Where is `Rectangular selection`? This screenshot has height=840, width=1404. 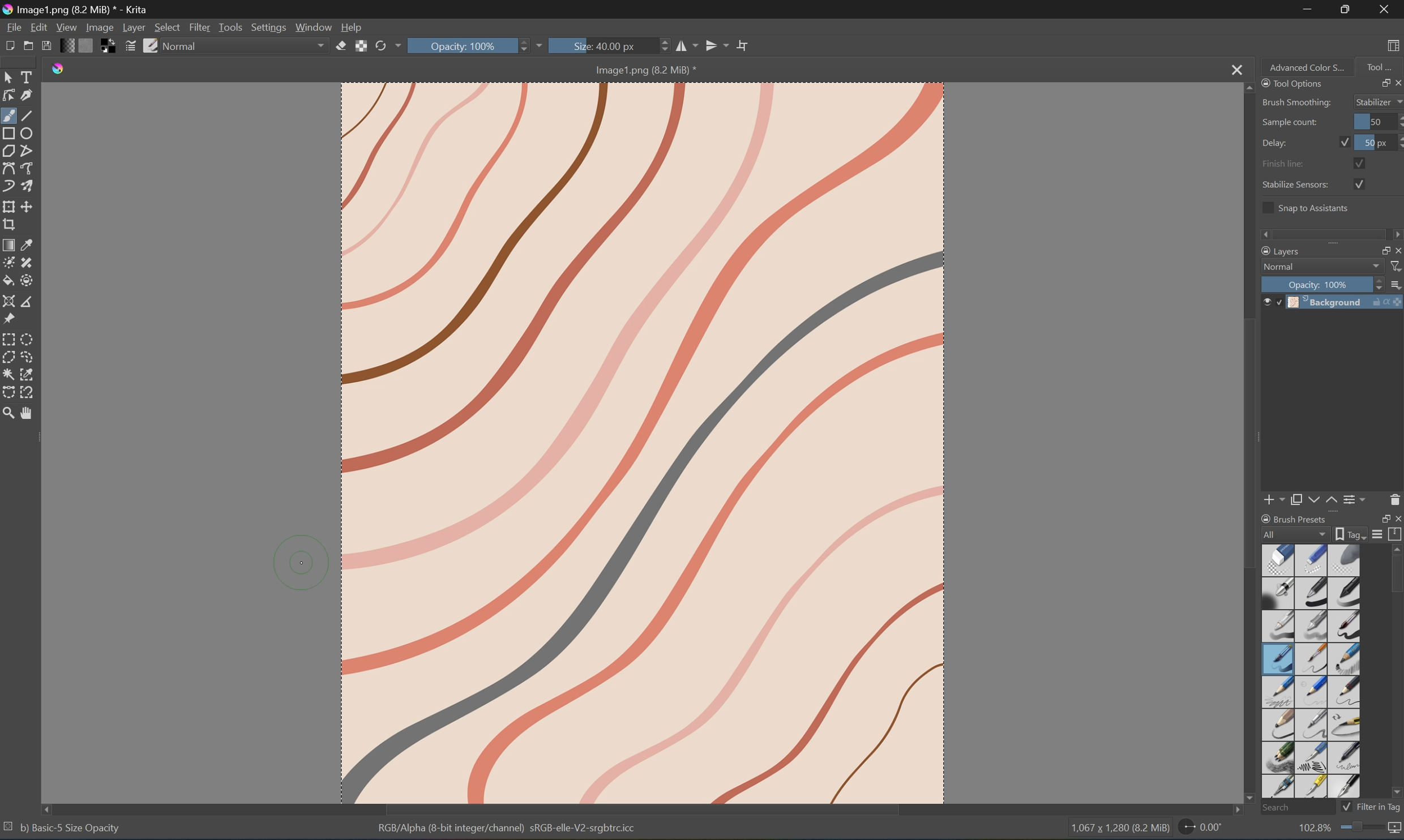
Rectangular selection is located at coordinates (9, 339).